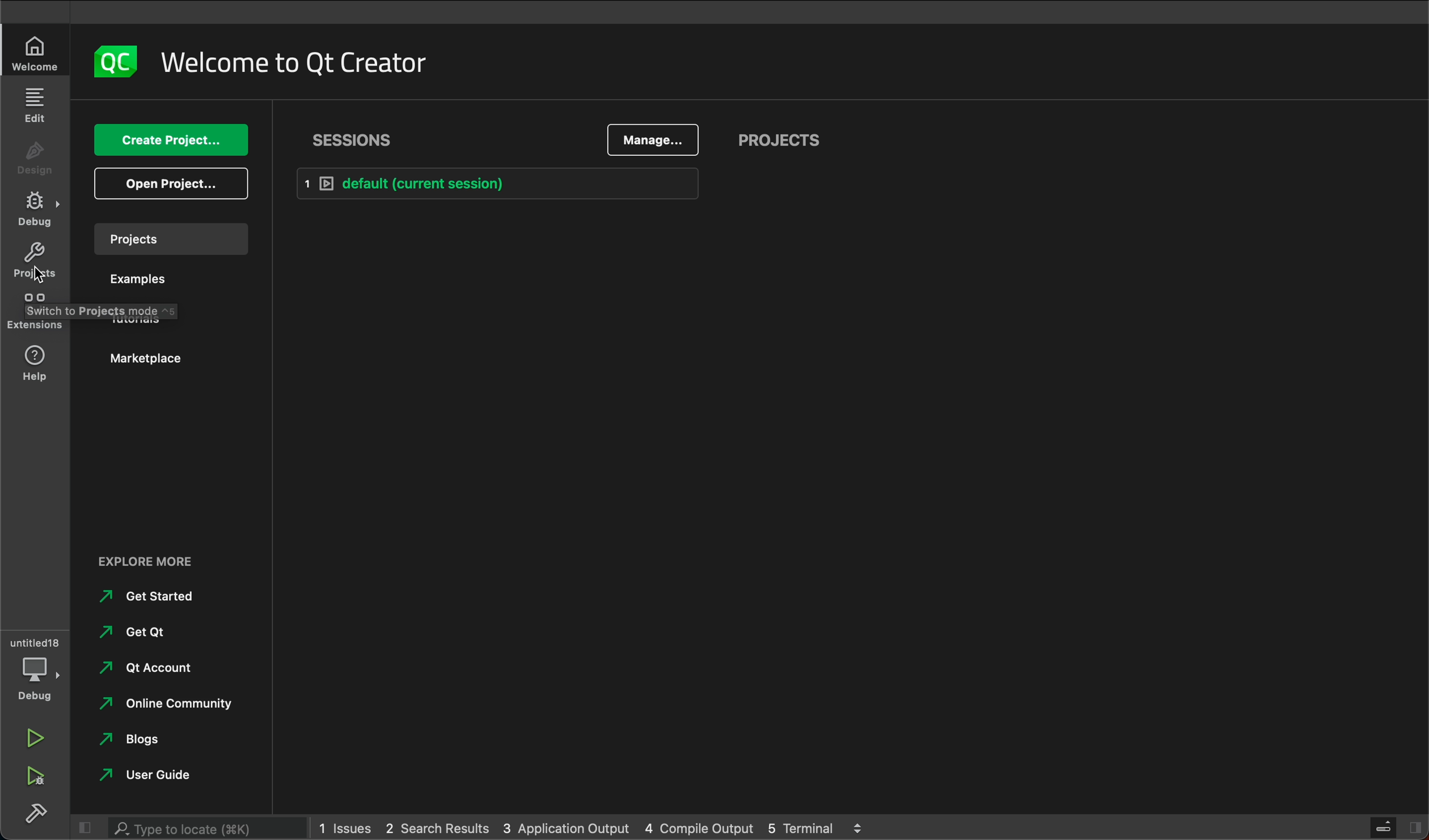  I want to click on 4 Compile Output, so click(697, 826).